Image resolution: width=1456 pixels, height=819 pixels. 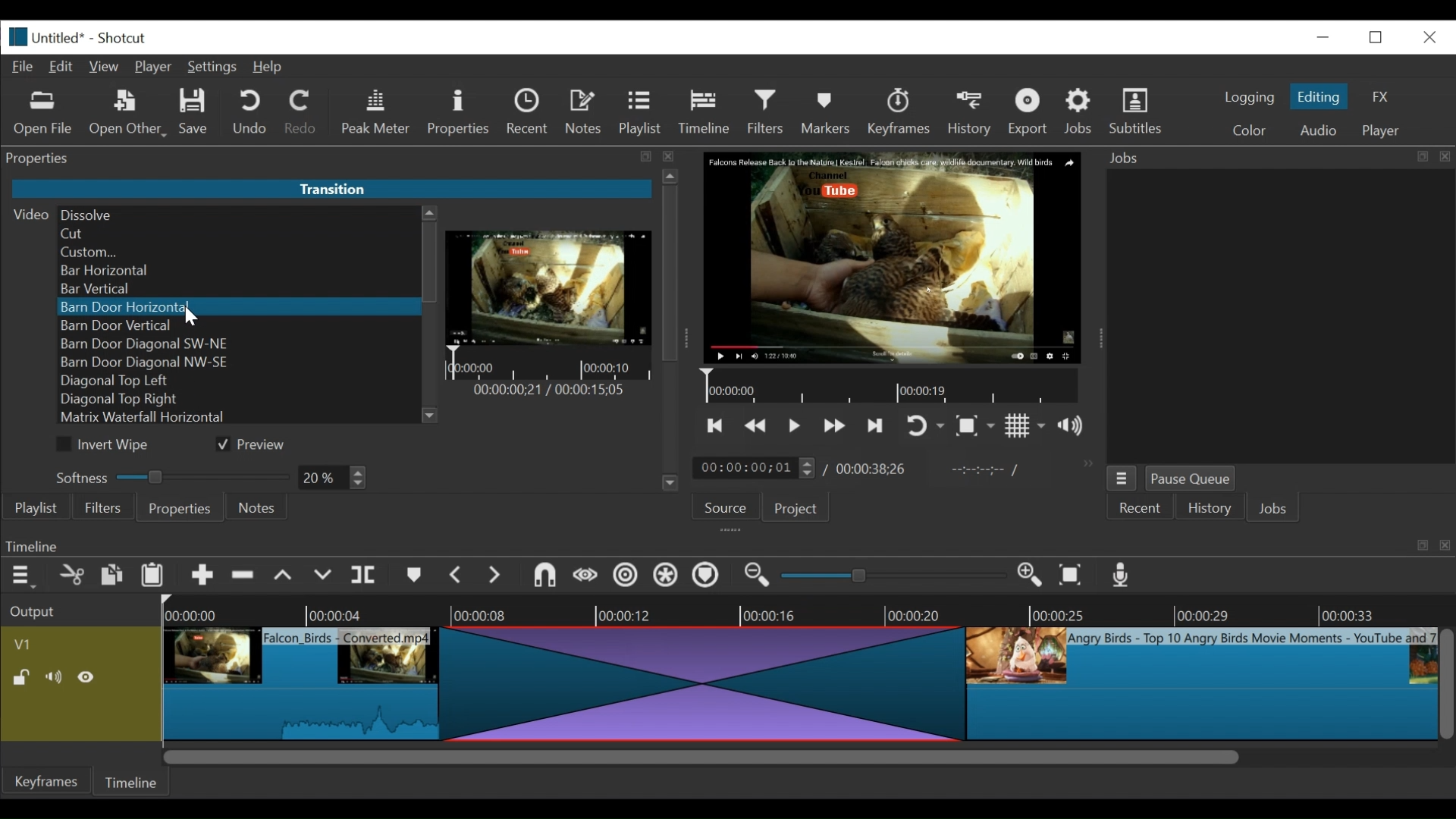 I want to click on Edit, so click(x=64, y=65).